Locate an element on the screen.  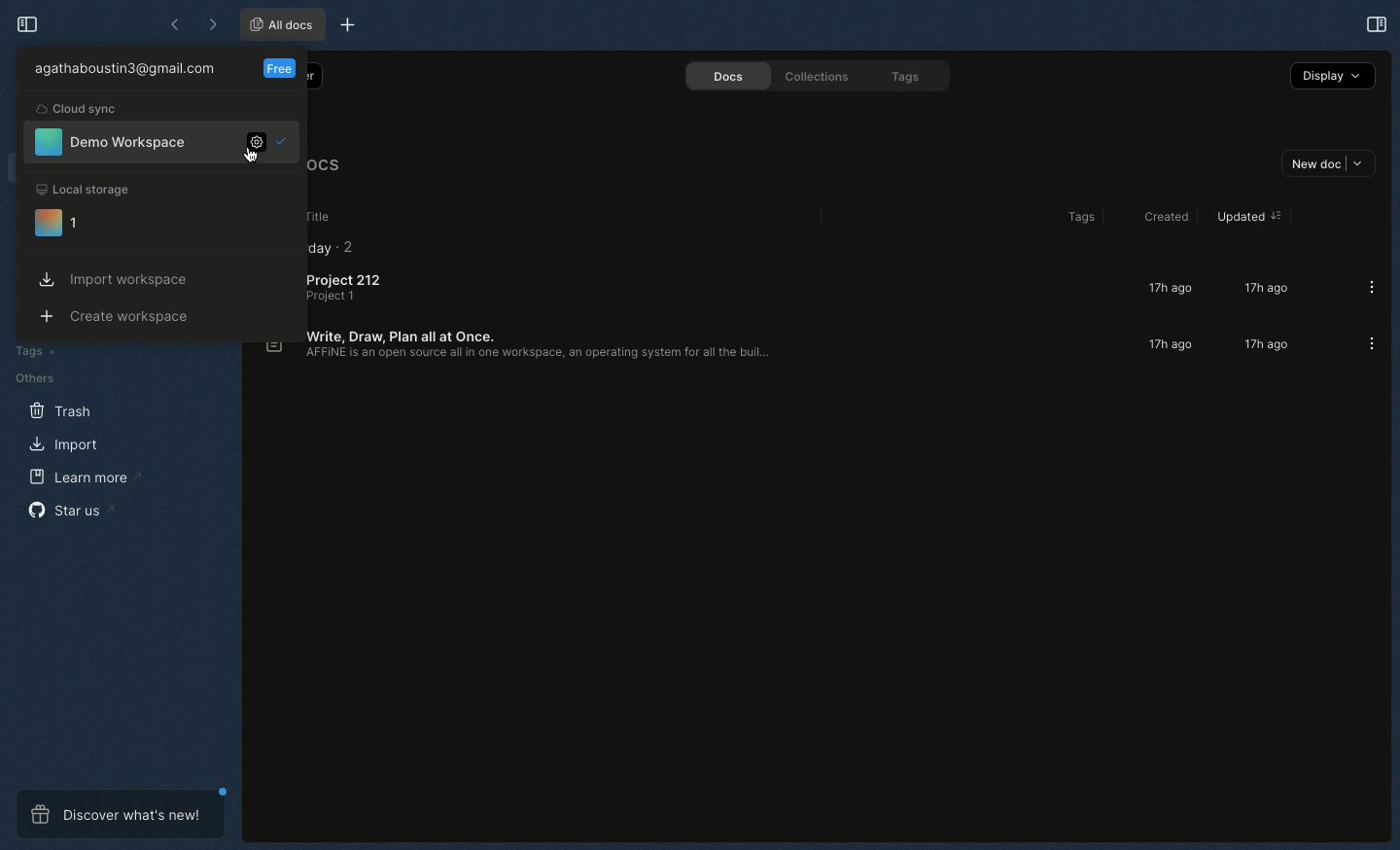
Back is located at coordinates (174, 24).